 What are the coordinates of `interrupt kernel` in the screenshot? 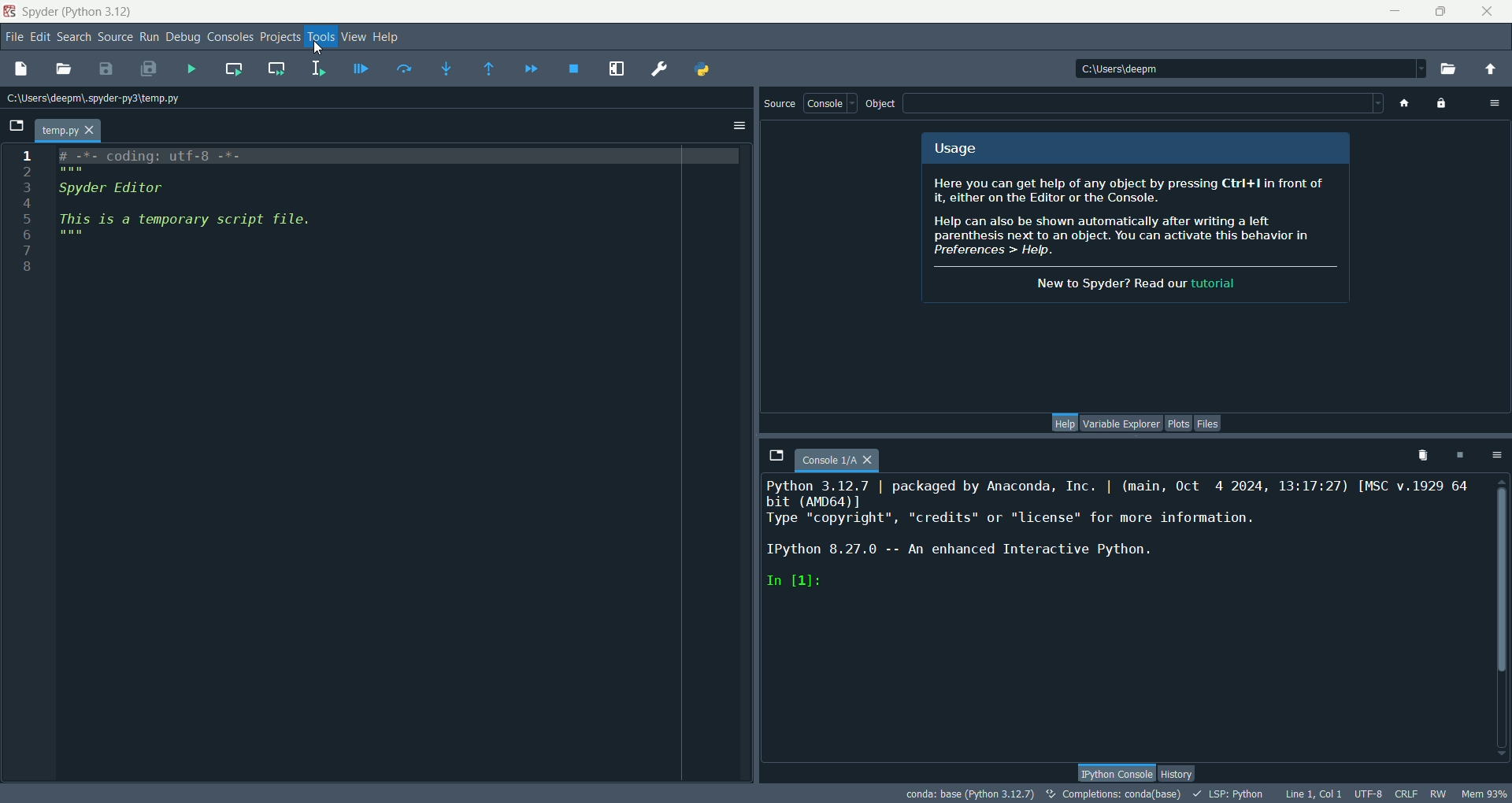 It's located at (1458, 453).